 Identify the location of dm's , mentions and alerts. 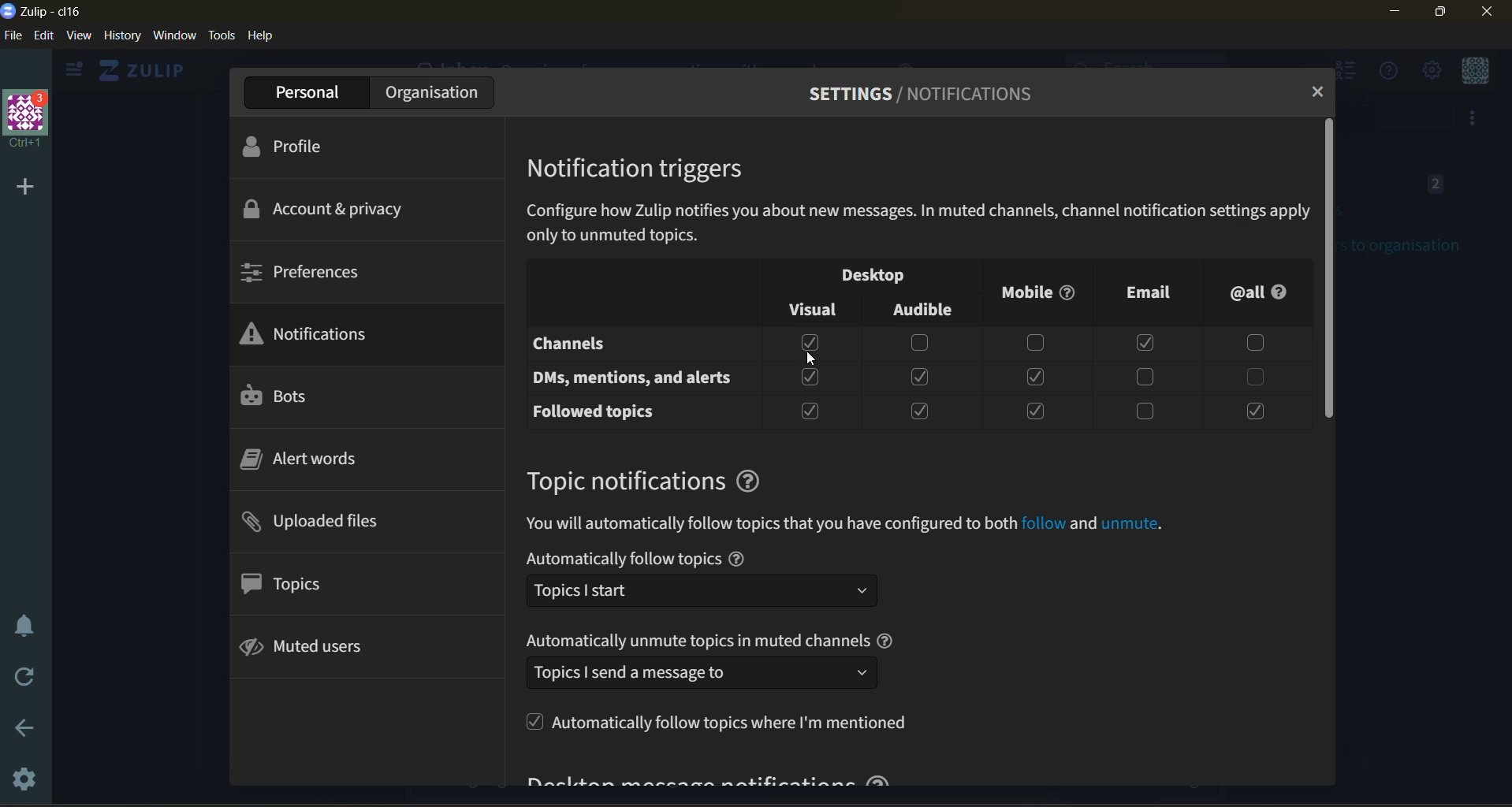
(637, 379).